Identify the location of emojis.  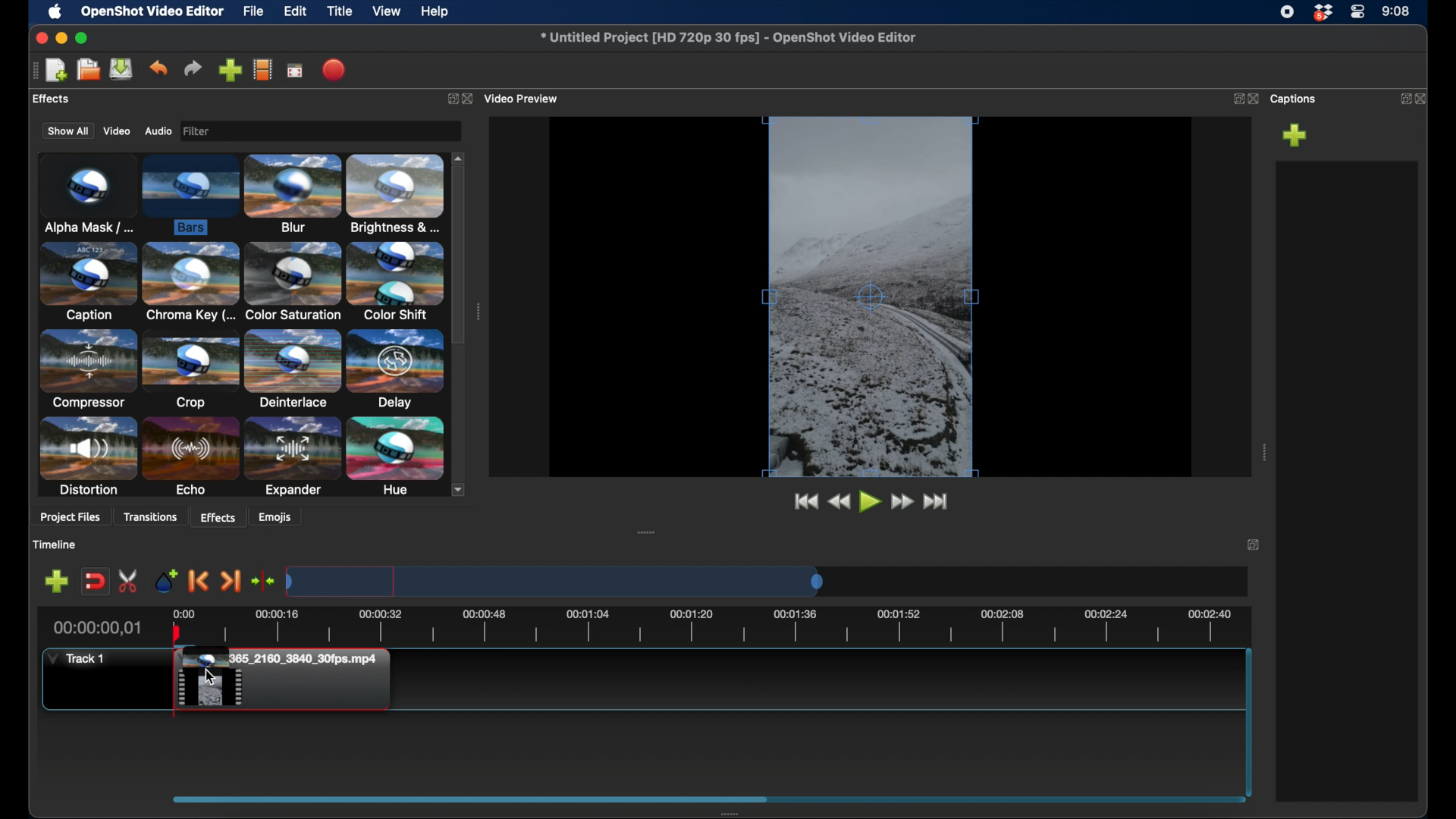
(276, 518).